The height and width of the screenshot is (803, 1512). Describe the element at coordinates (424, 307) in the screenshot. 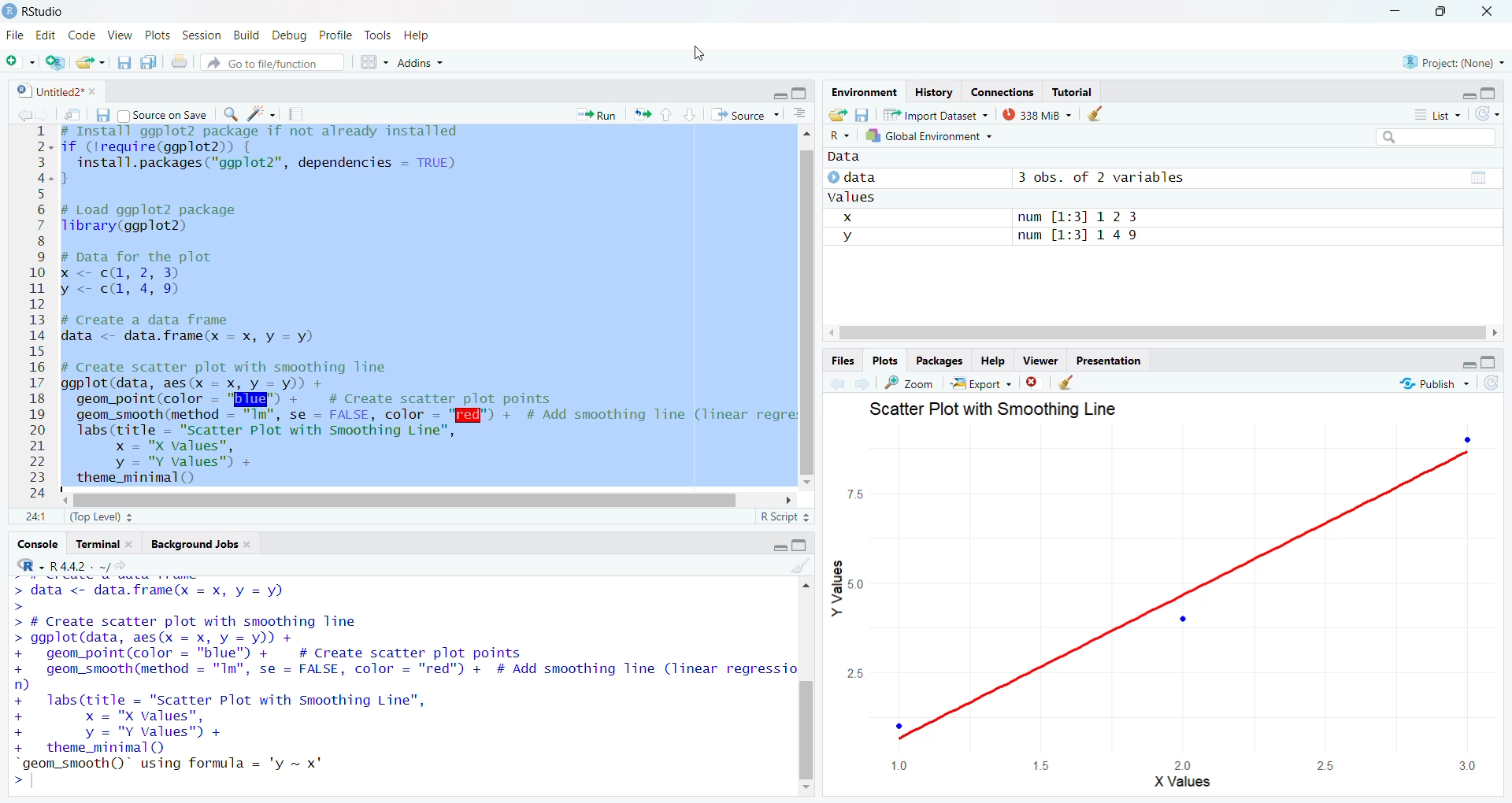

I see `install ggp to 2 package if not already installed if Crequire(ggplot2)install.packages ("ggplot2", dependencies = TRUE)}# Load ggplot2 packageTibrary(ggplot2) 1# Data for the plotx <- c@, 2, 3)y <= c@, 4, 9)# Create a data framedata <- data.frame(x = x, y = y)# Create scatter plot with smoothing lineggplot(data, aes(x = x, y = y)) +geom_point(color - "BIE" + # Create scatter plot pointsgeom_smooth (method = "Im", se = FALSE, color = "[Q@l") + # Add smoothing line (linear regrelabs (title = "Scatter Plot with Smoothing Line",x = "X values",y = "Y values") +theme_minimal()` at that location.